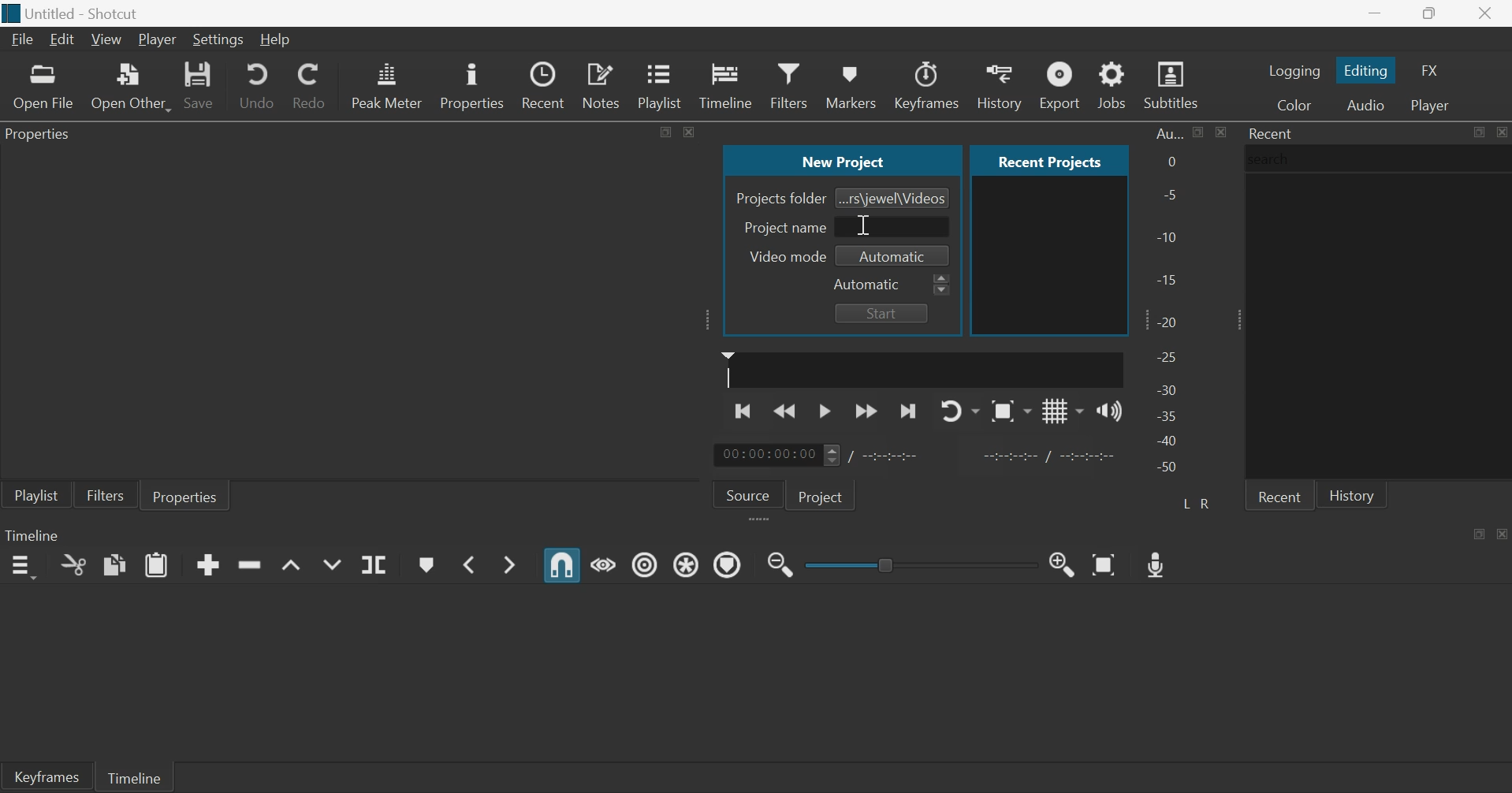 Image resolution: width=1512 pixels, height=793 pixels. I want to click on Skip to the next point, so click(907, 412).